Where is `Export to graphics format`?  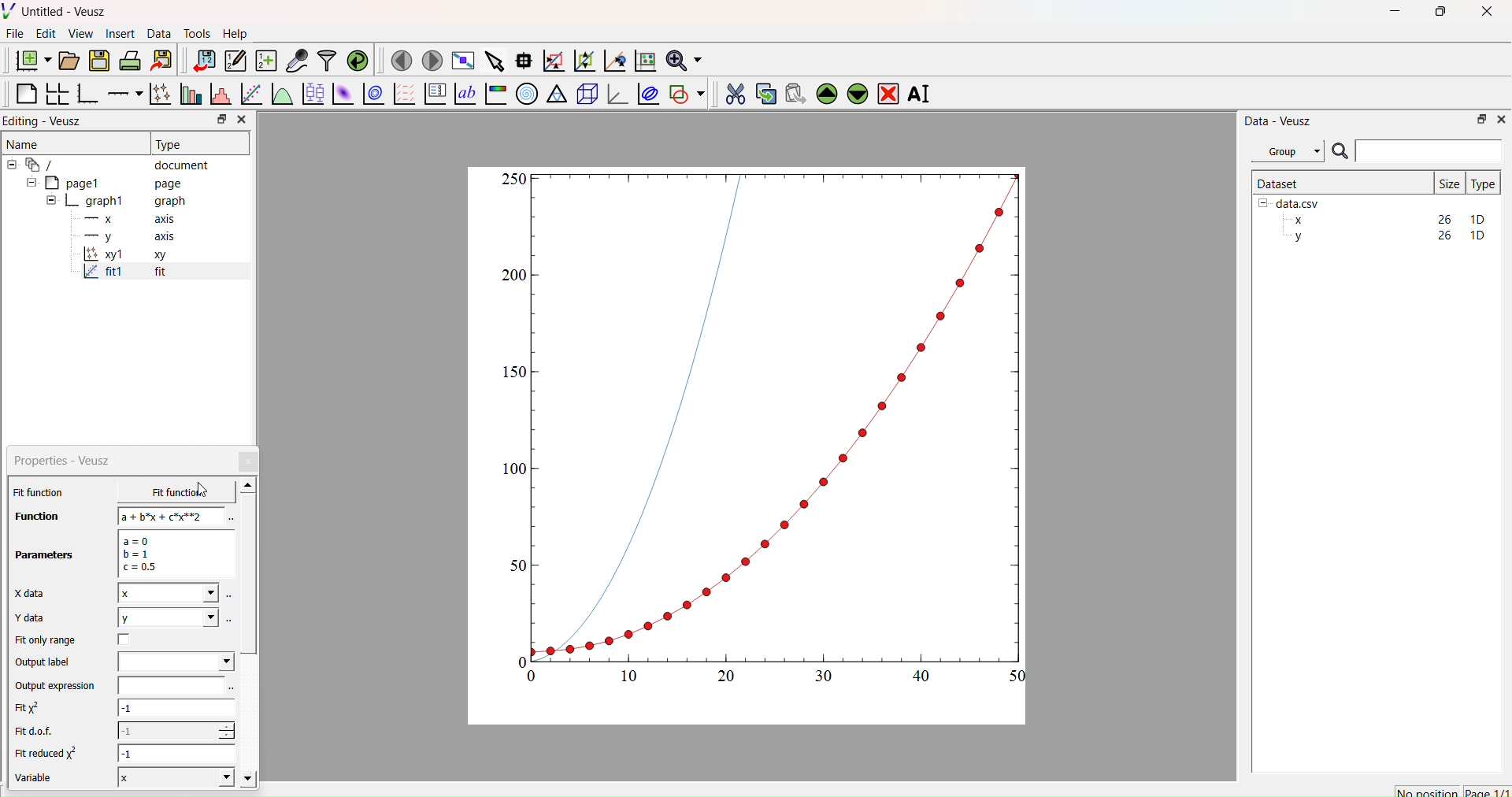 Export to graphics format is located at coordinates (161, 61).